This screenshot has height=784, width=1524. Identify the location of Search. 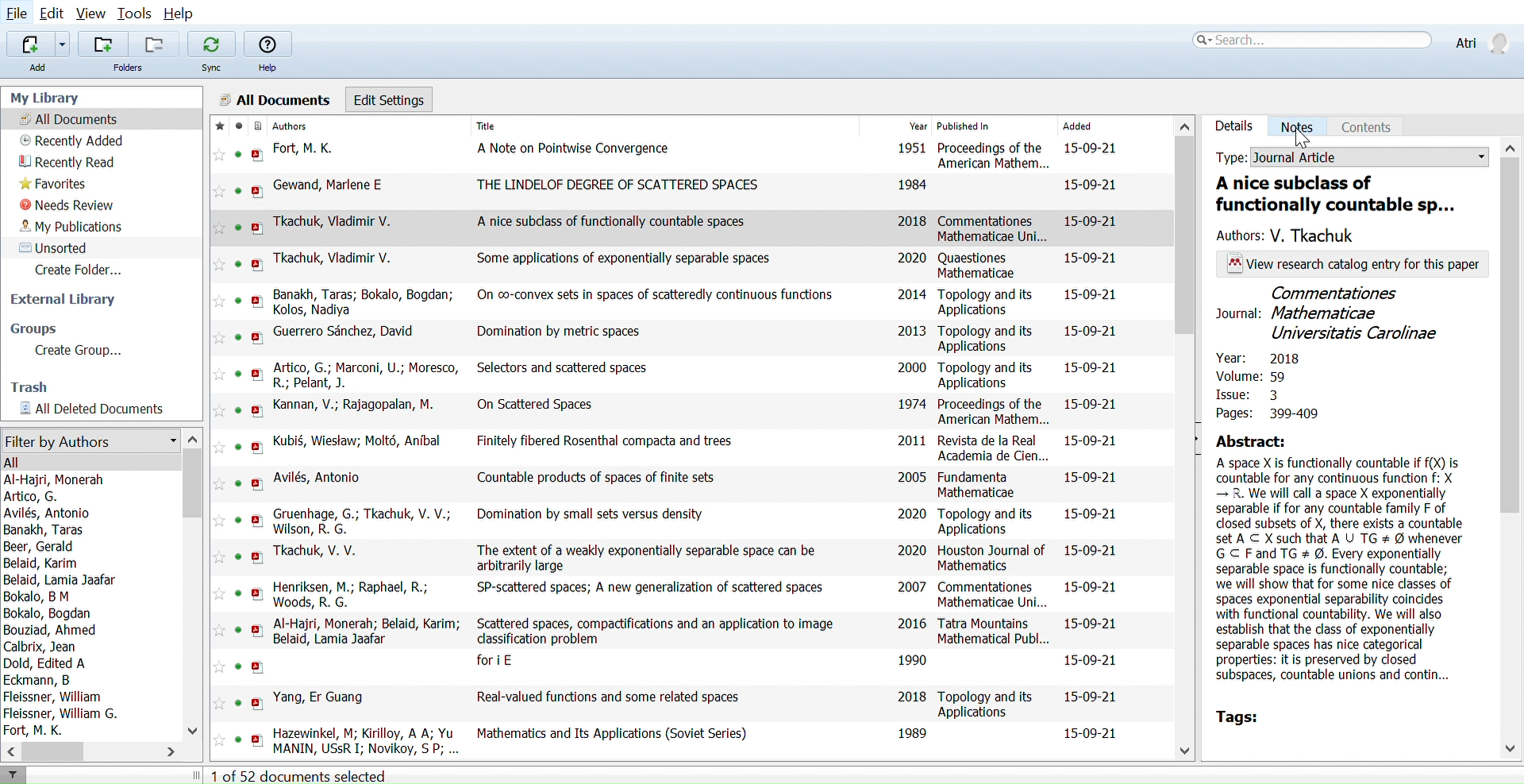
(1311, 39).